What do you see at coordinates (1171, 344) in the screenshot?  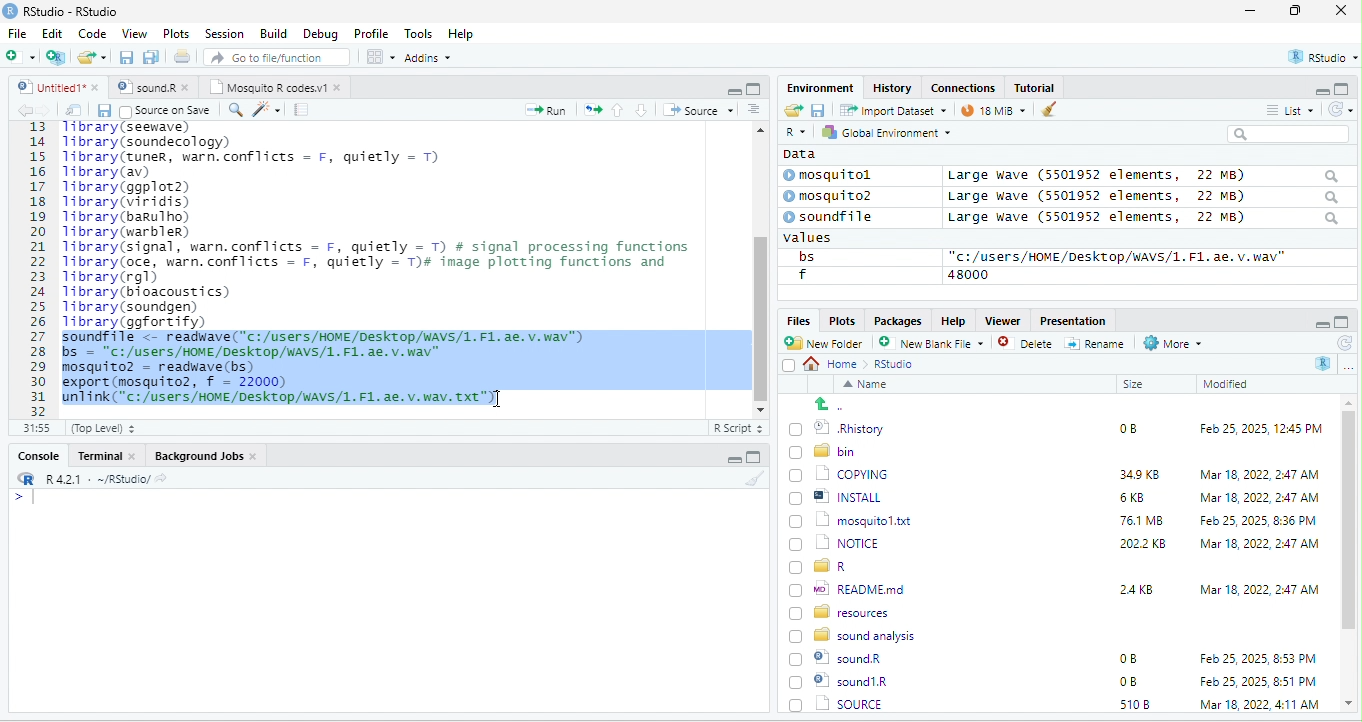 I see ` More ` at bounding box center [1171, 344].